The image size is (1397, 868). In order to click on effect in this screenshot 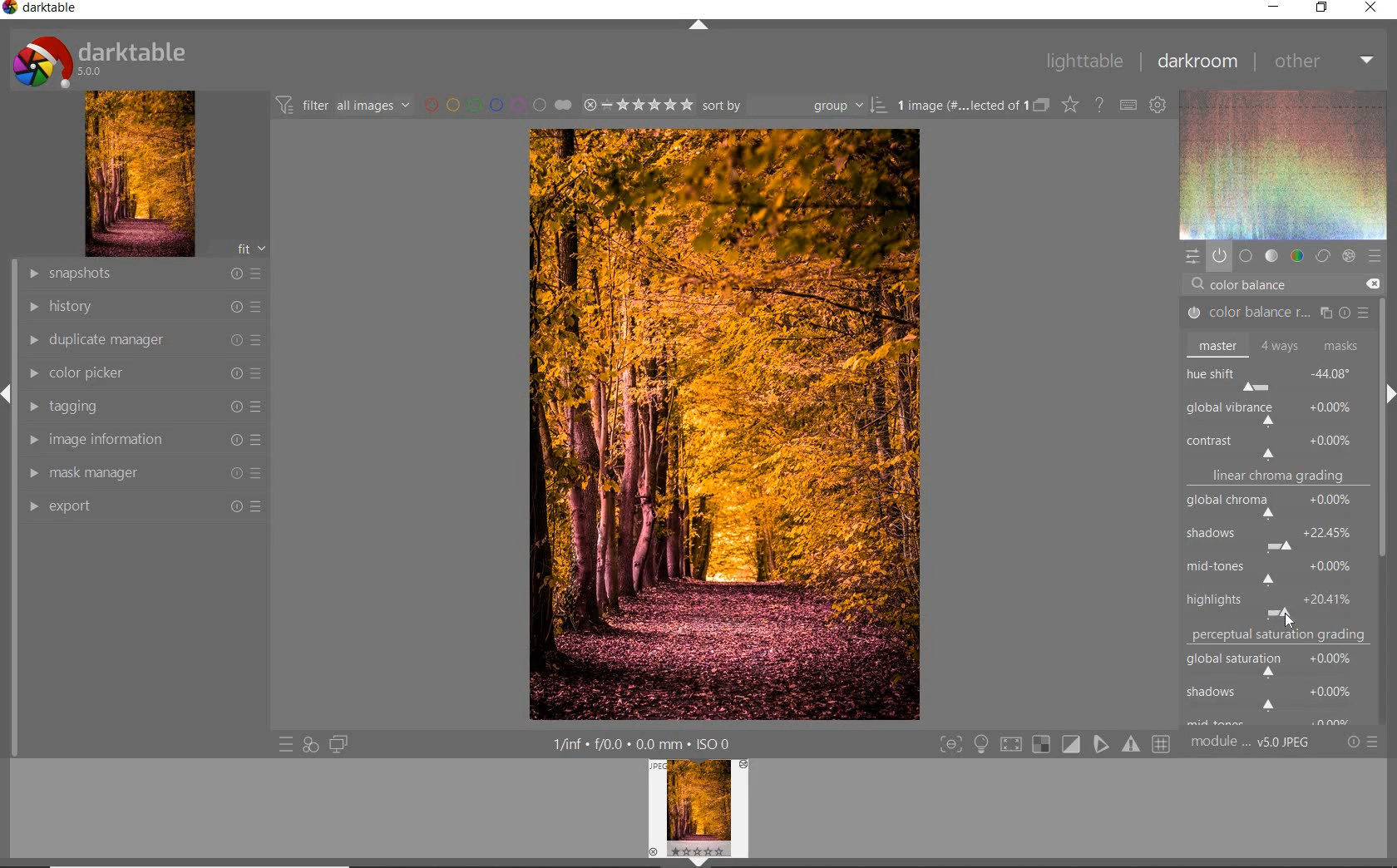, I will do `click(1349, 254)`.